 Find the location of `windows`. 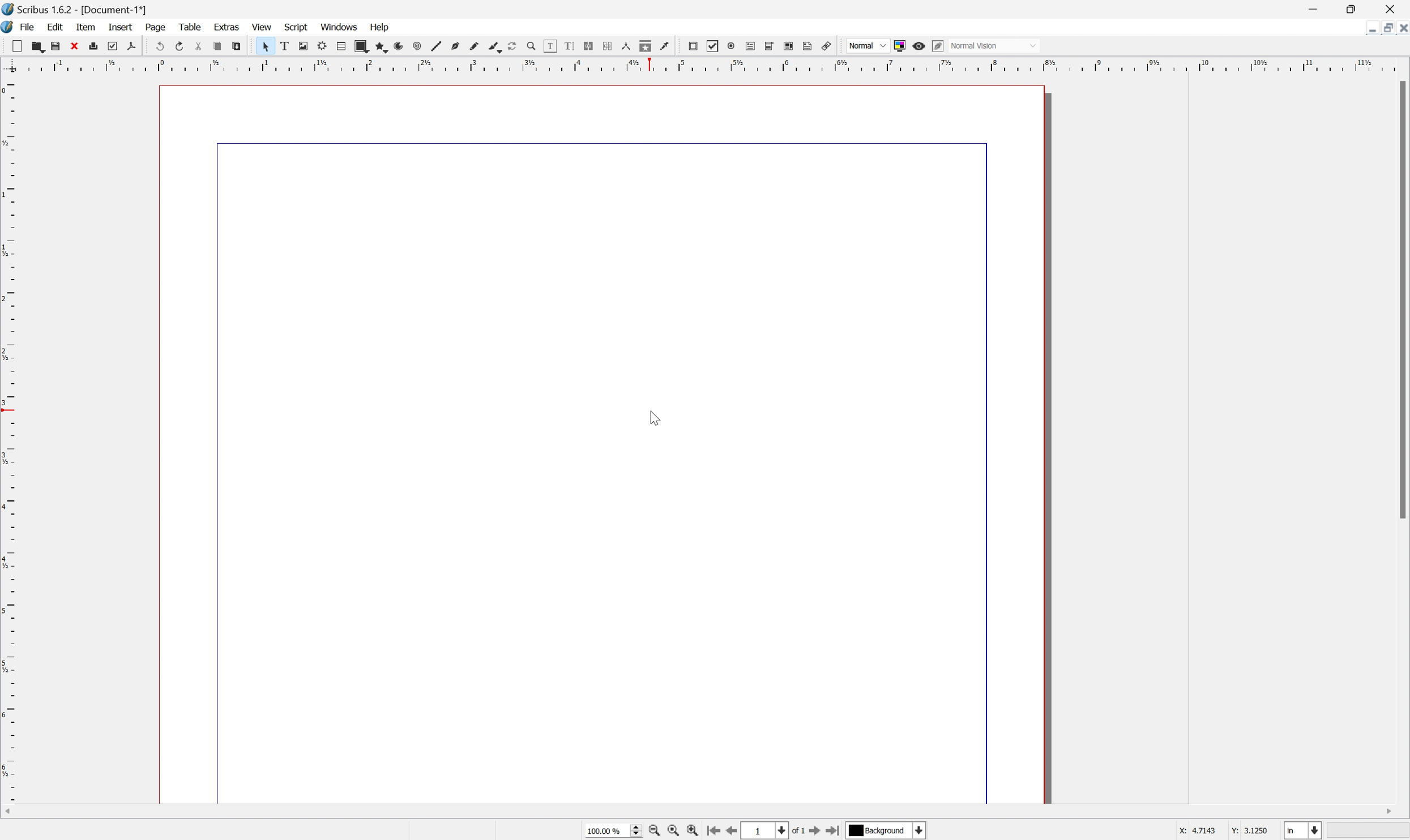

windows is located at coordinates (339, 26).